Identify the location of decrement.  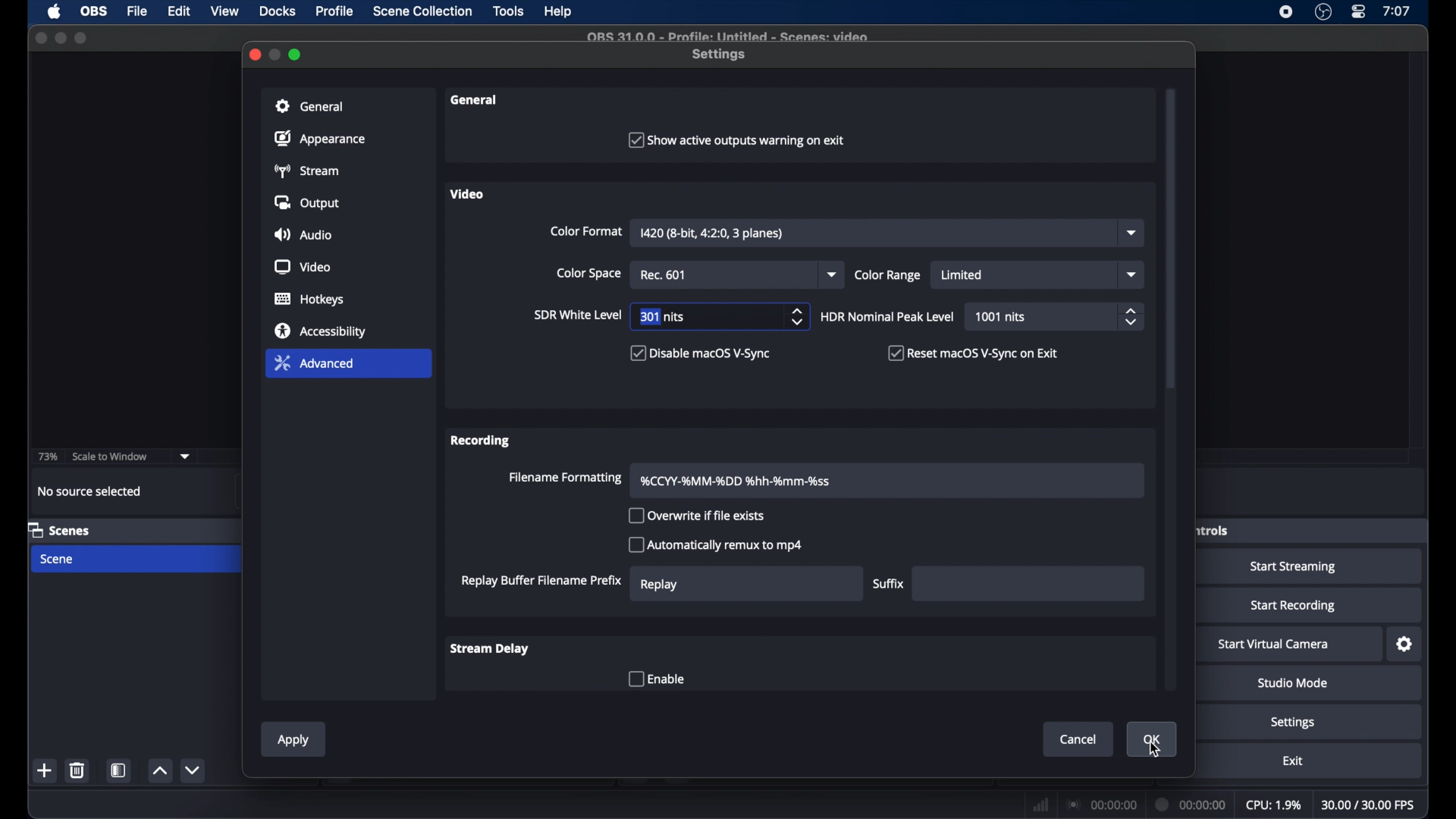
(193, 770).